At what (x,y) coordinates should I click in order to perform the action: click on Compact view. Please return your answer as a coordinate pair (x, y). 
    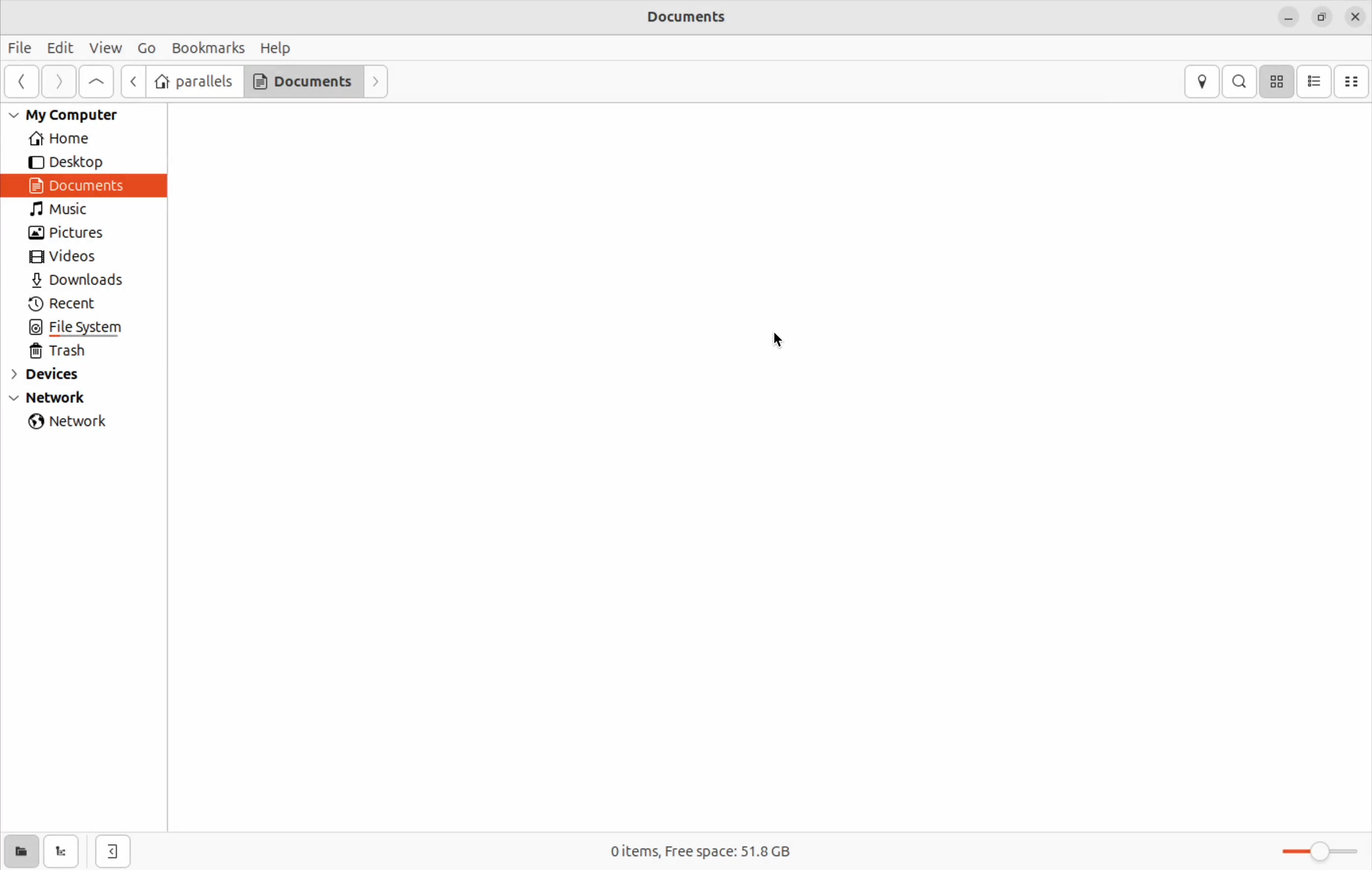
    Looking at the image, I should click on (1354, 81).